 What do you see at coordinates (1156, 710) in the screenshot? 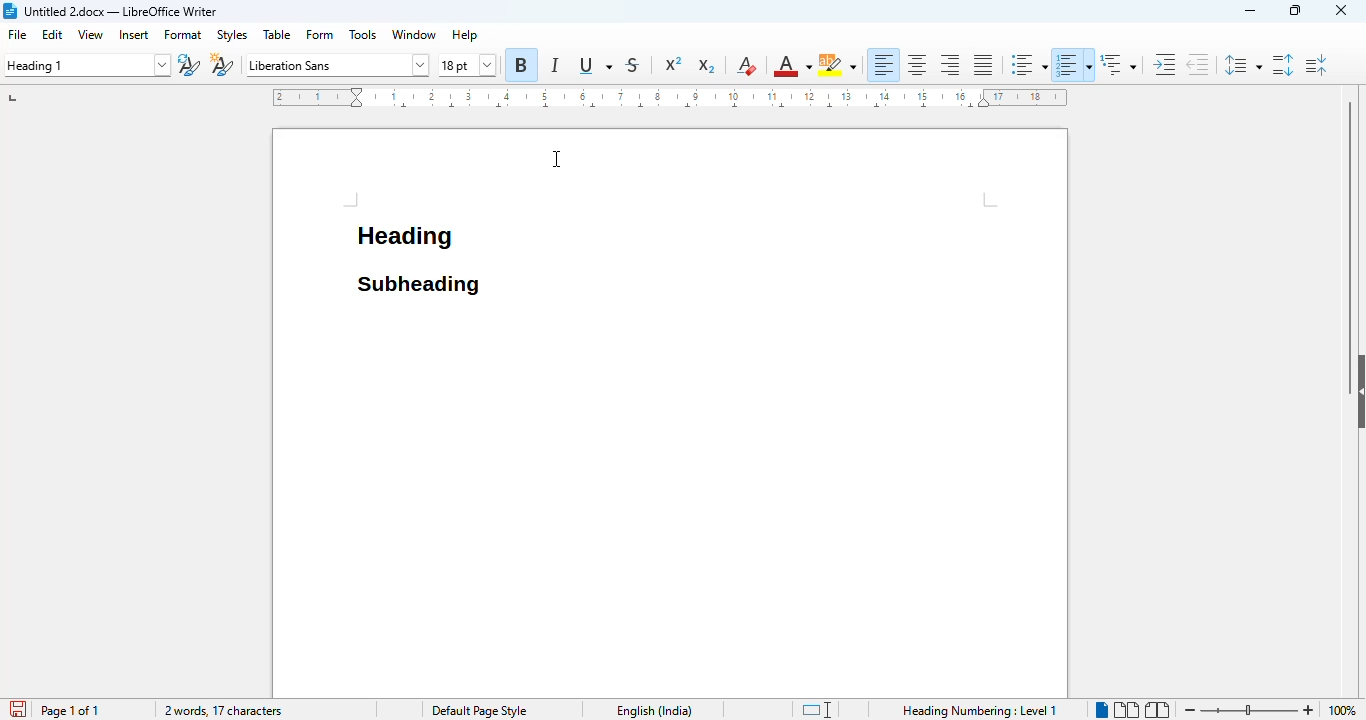
I see `book view` at bounding box center [1156, 710].